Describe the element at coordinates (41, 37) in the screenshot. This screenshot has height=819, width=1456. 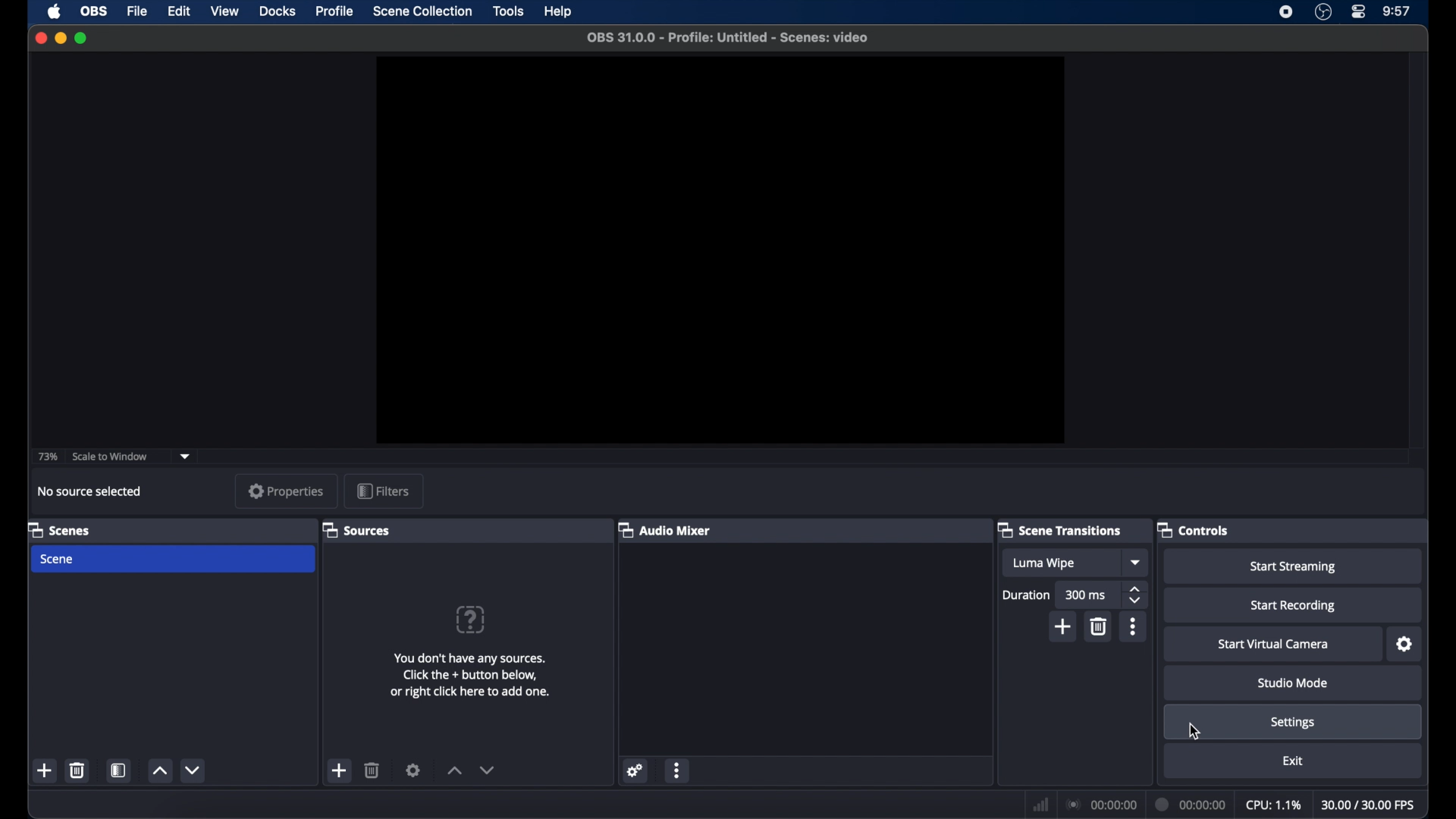
I see `close` at that location.